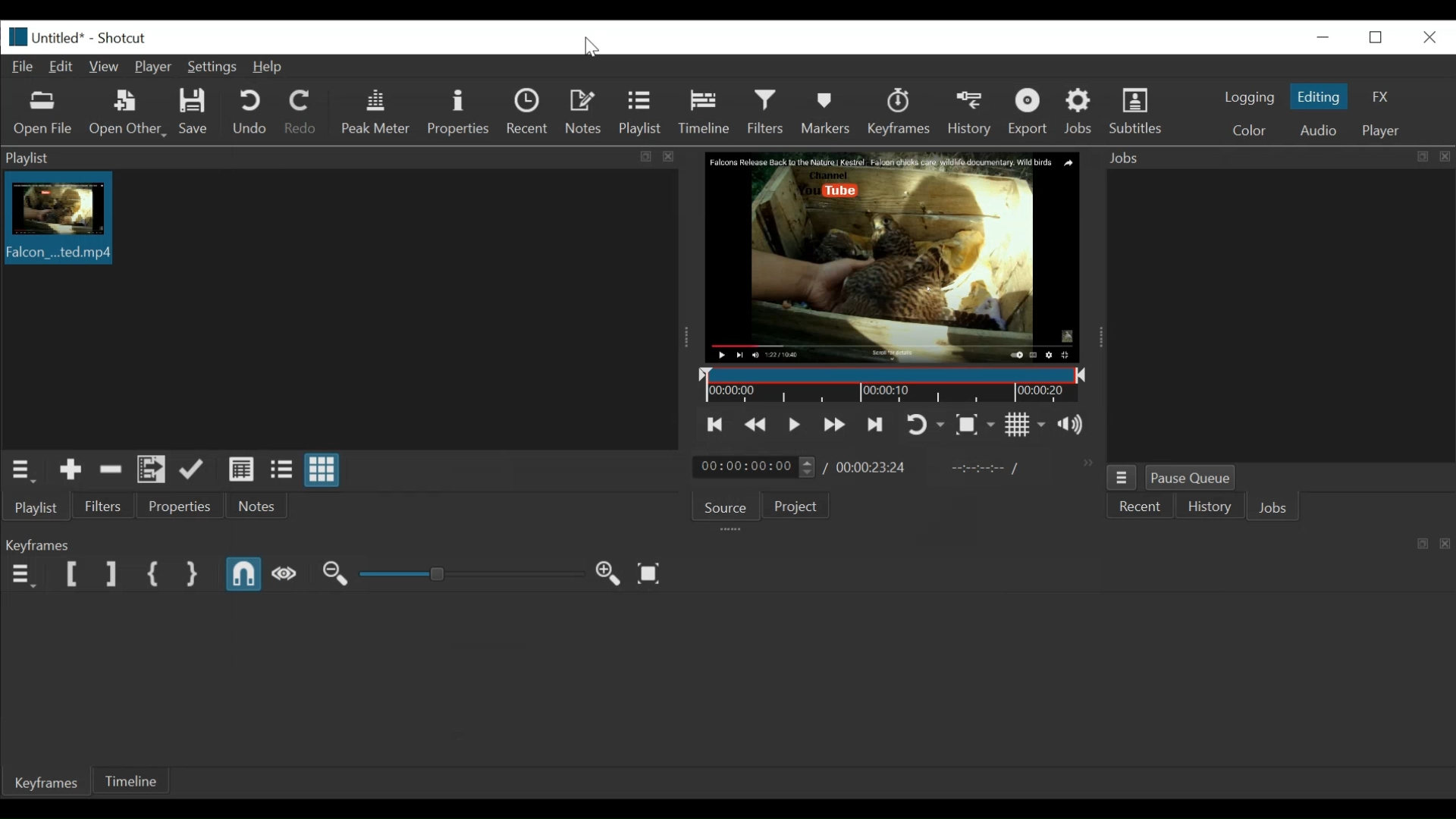 The image size is (1456, 819). Describe the element at coordinates (197, 111) in the screenshot. I see `Save` at that location.